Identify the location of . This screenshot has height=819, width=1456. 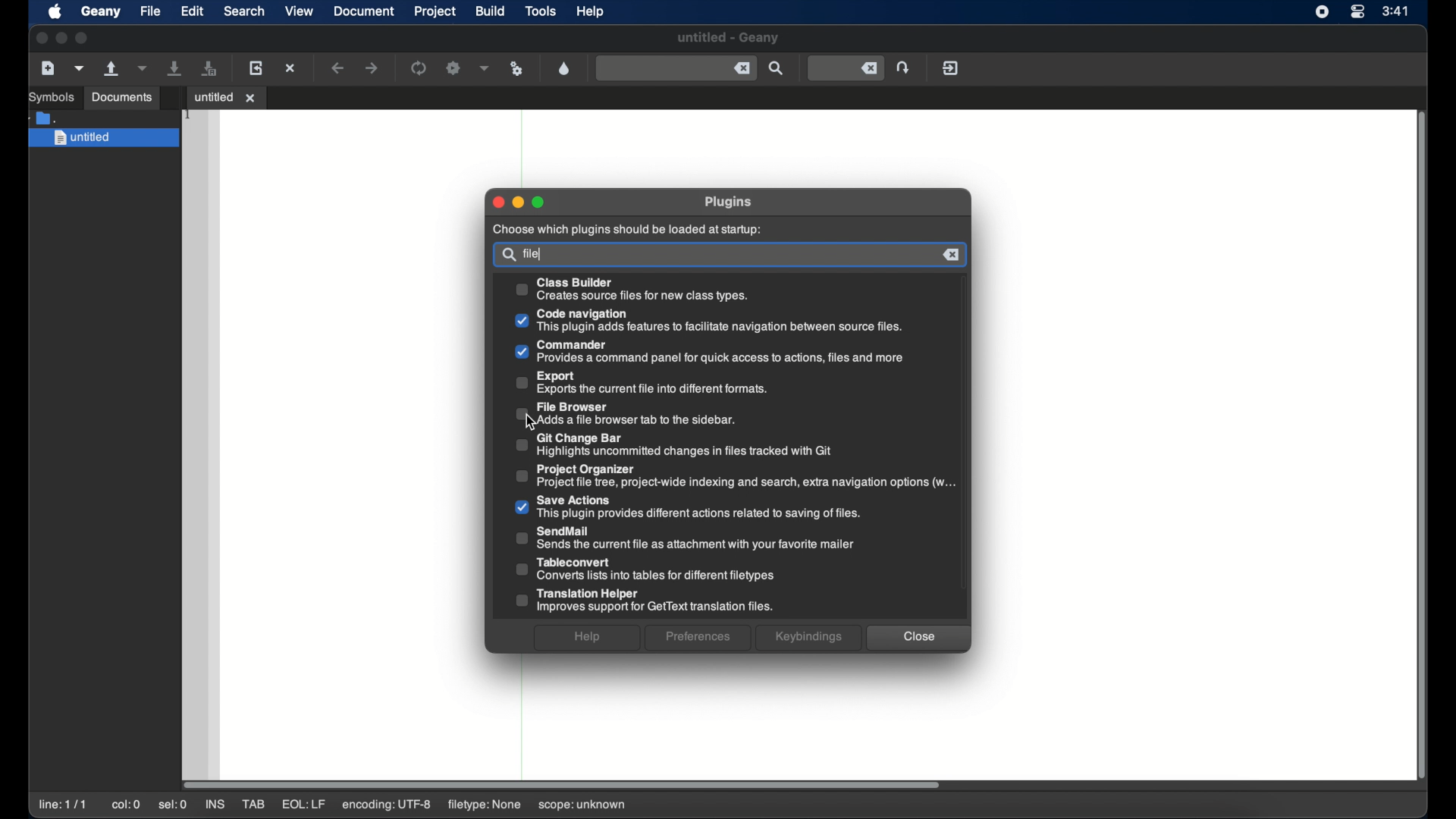
(726, 203).